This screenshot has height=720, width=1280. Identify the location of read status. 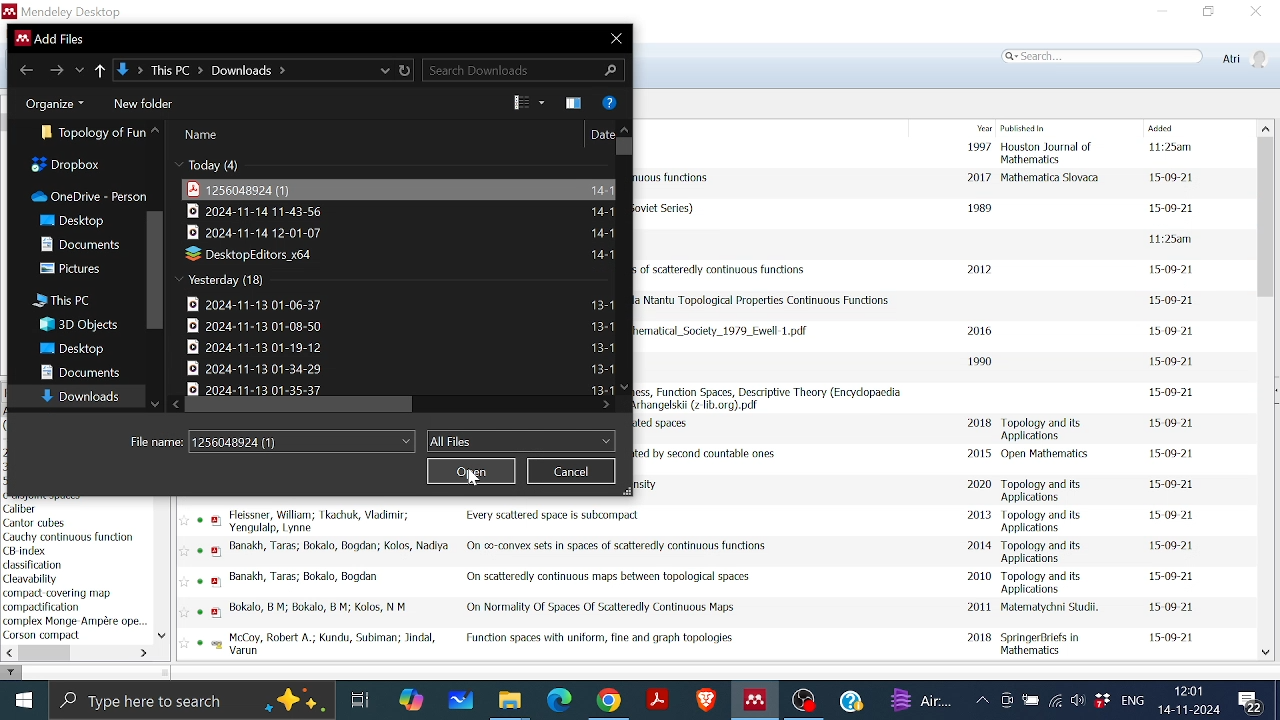
(204, 612).